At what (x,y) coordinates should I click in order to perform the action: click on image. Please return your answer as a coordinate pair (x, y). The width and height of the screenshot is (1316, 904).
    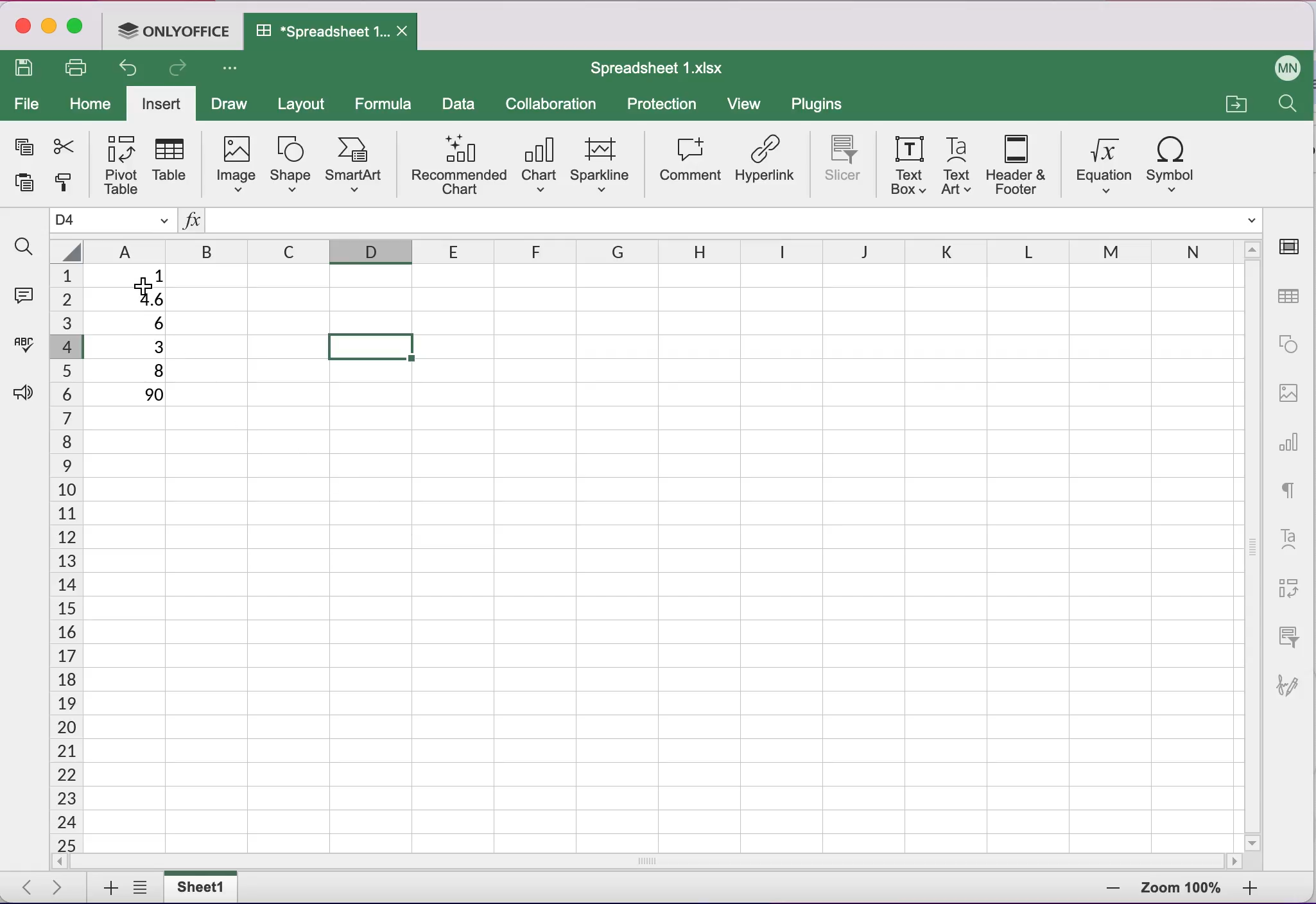
    Looking at the image, I should click on (235, 166).